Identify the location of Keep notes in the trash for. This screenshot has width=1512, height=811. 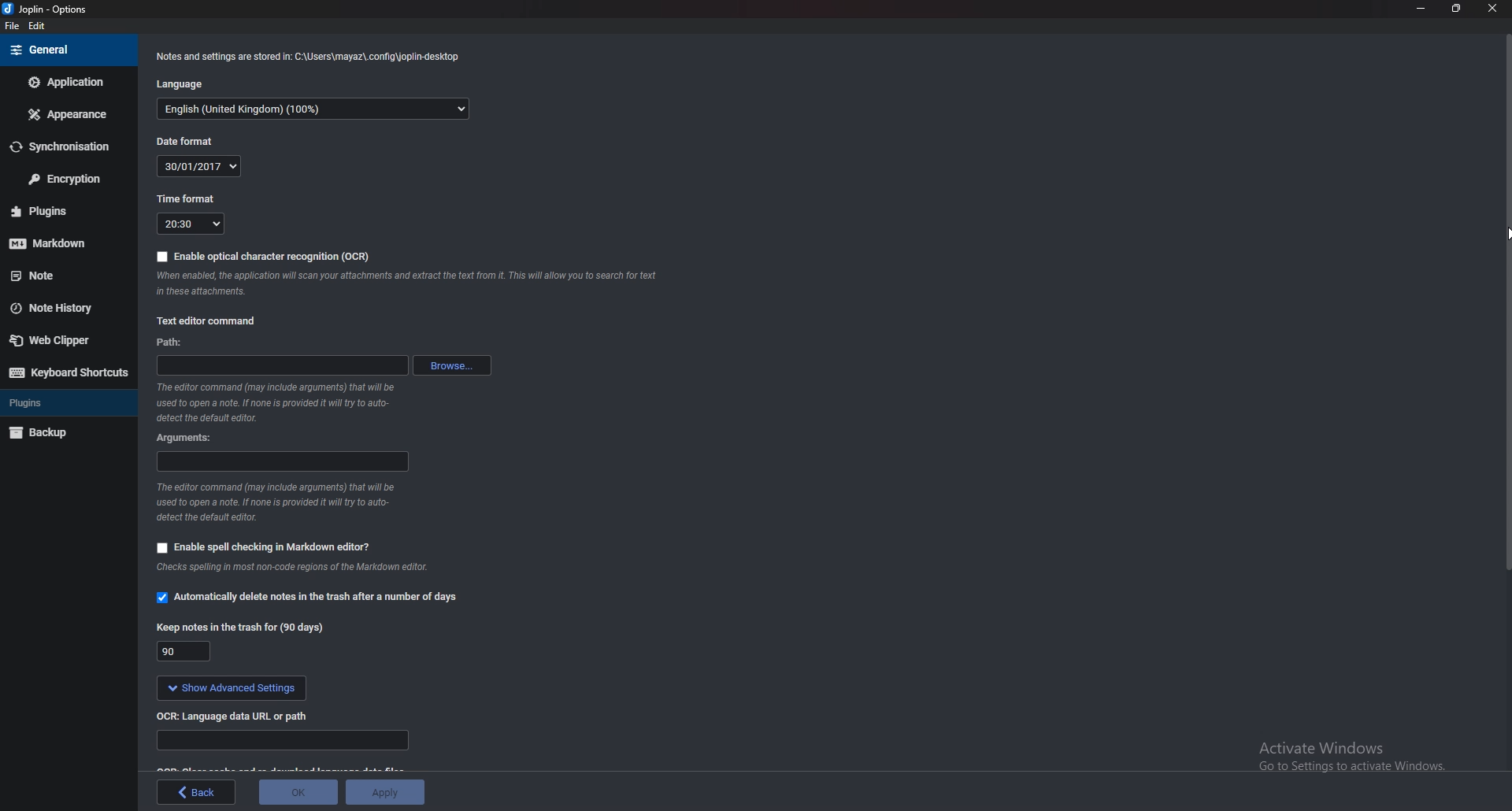
(239, 629).